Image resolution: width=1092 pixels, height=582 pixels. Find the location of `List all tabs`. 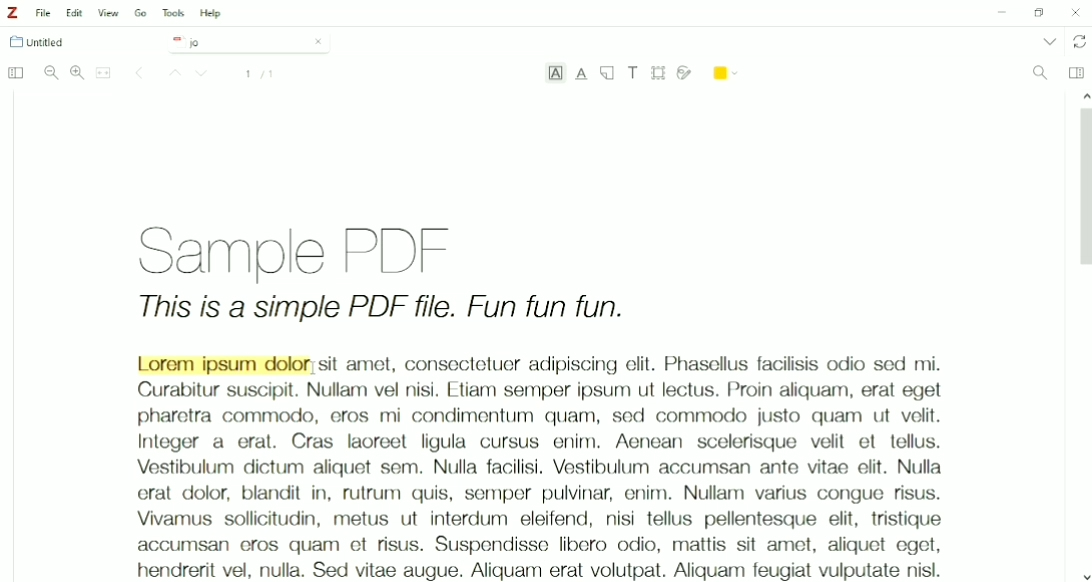

List all tabs is located at coordinates (1048, 41).